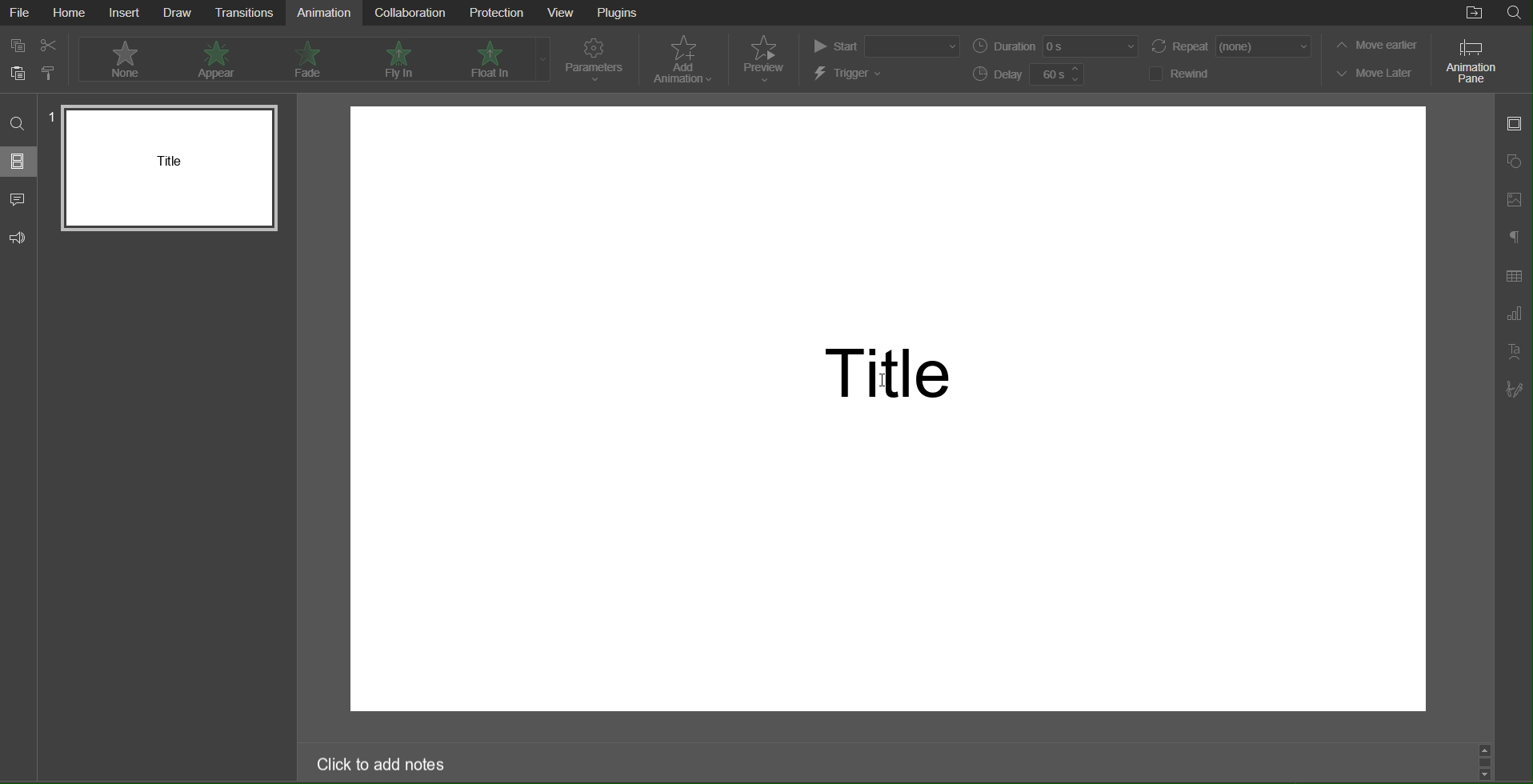 The image size is (1533, 784). What do you see at coordinates (1470, 14) in the screenshot?
I see `Open File Location` at bounding box center [1470, 14].